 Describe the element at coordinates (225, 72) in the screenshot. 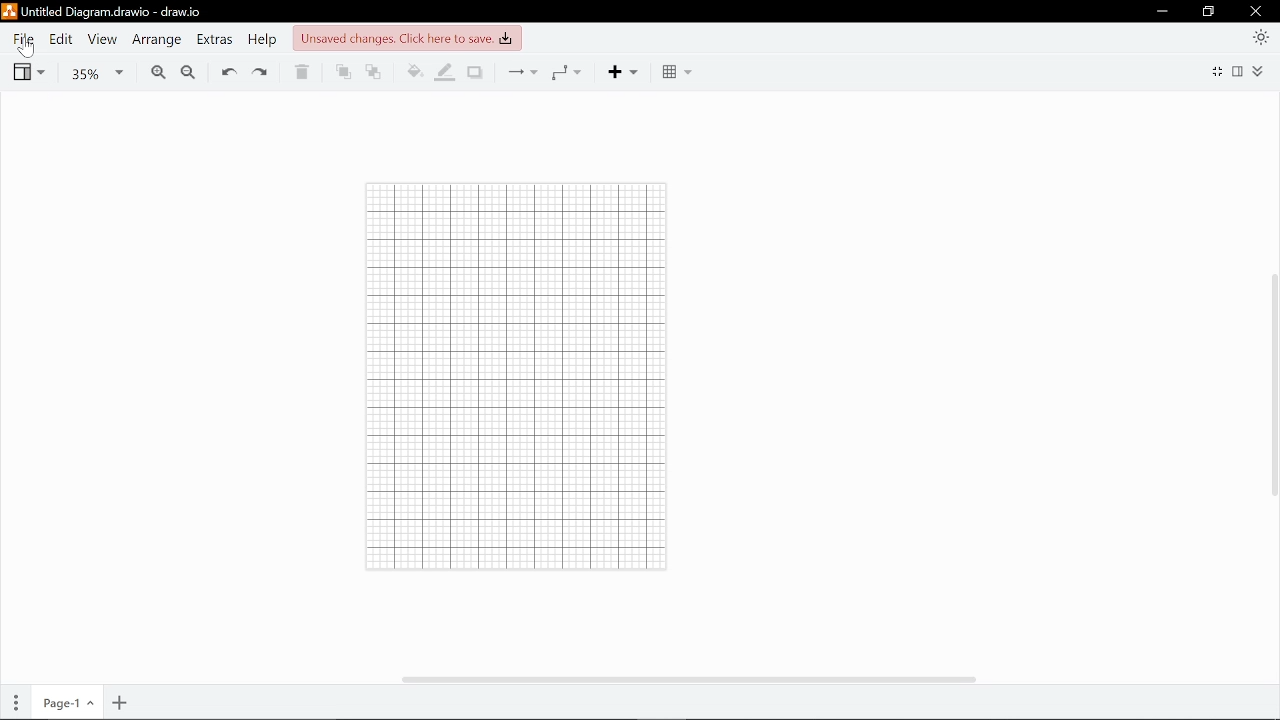

I see `undo` at that location.